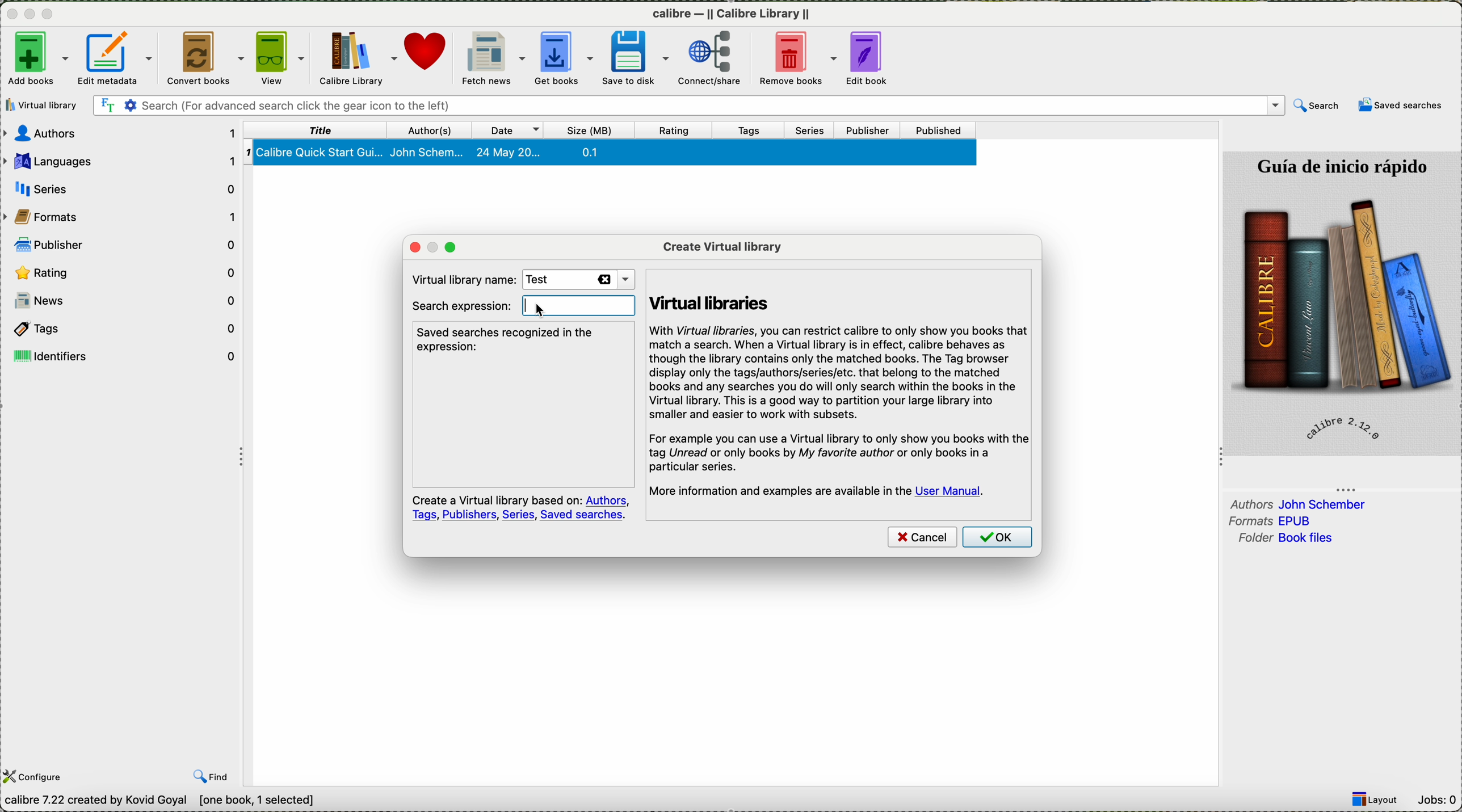 This screenshot has height=812, width=1462. Describe the element at coordinates (1341, 302) in the screenshot. I see `calibre quick start guide preview` at that location.